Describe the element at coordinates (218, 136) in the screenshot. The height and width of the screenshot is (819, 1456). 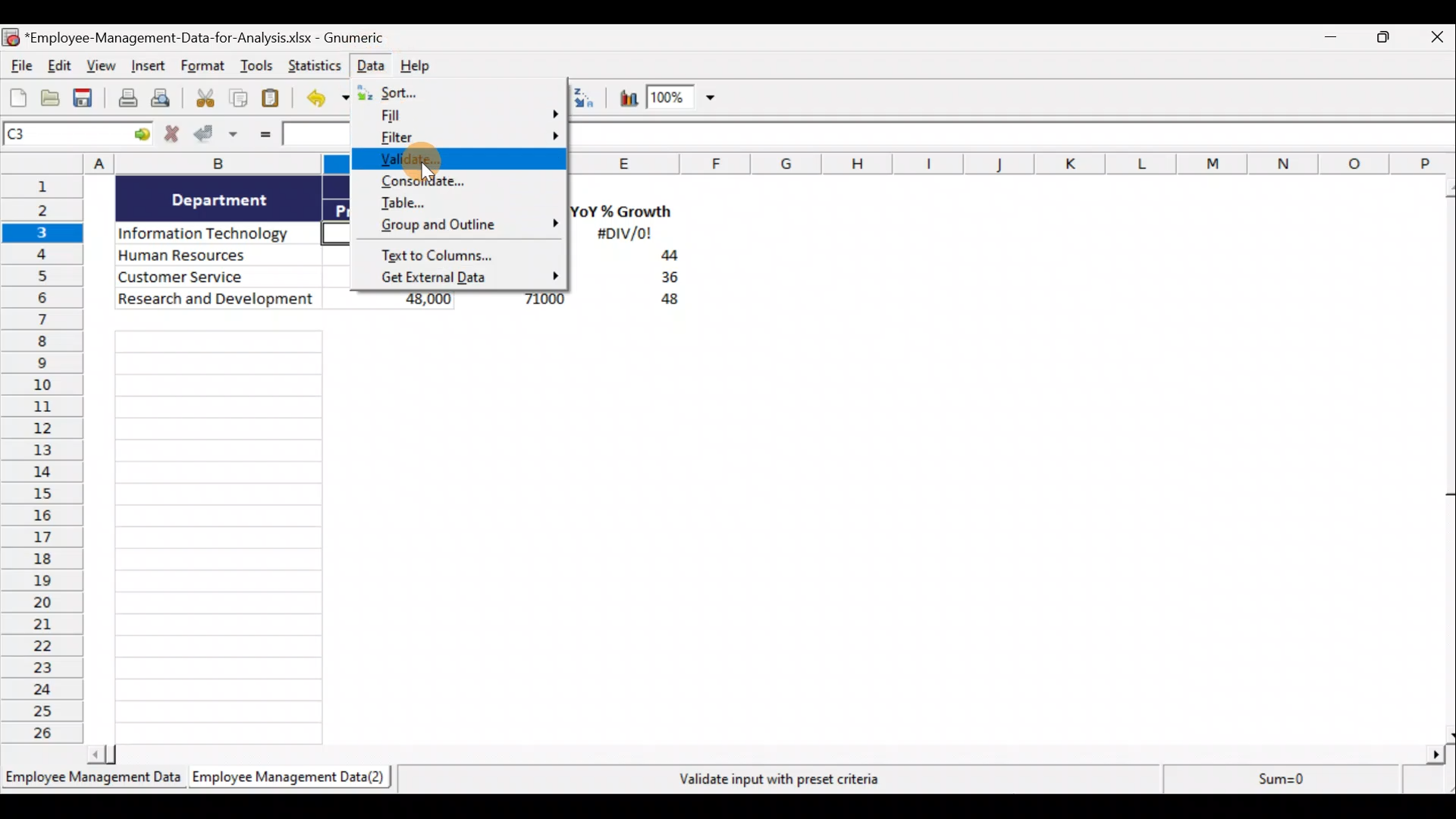
I see `Accept changes` at that location.